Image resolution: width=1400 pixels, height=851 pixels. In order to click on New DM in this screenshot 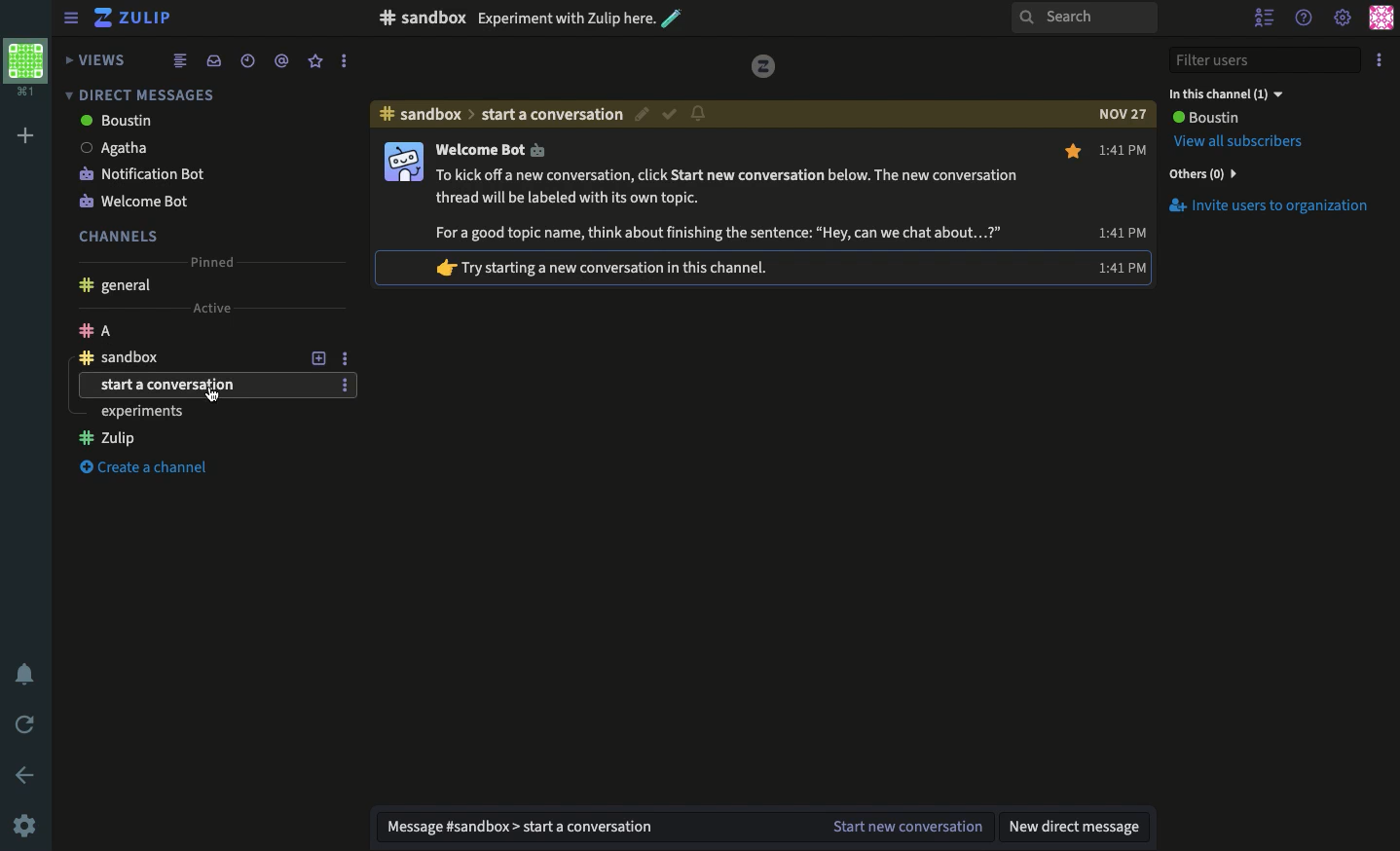, I will do `click(1078, 826)`.